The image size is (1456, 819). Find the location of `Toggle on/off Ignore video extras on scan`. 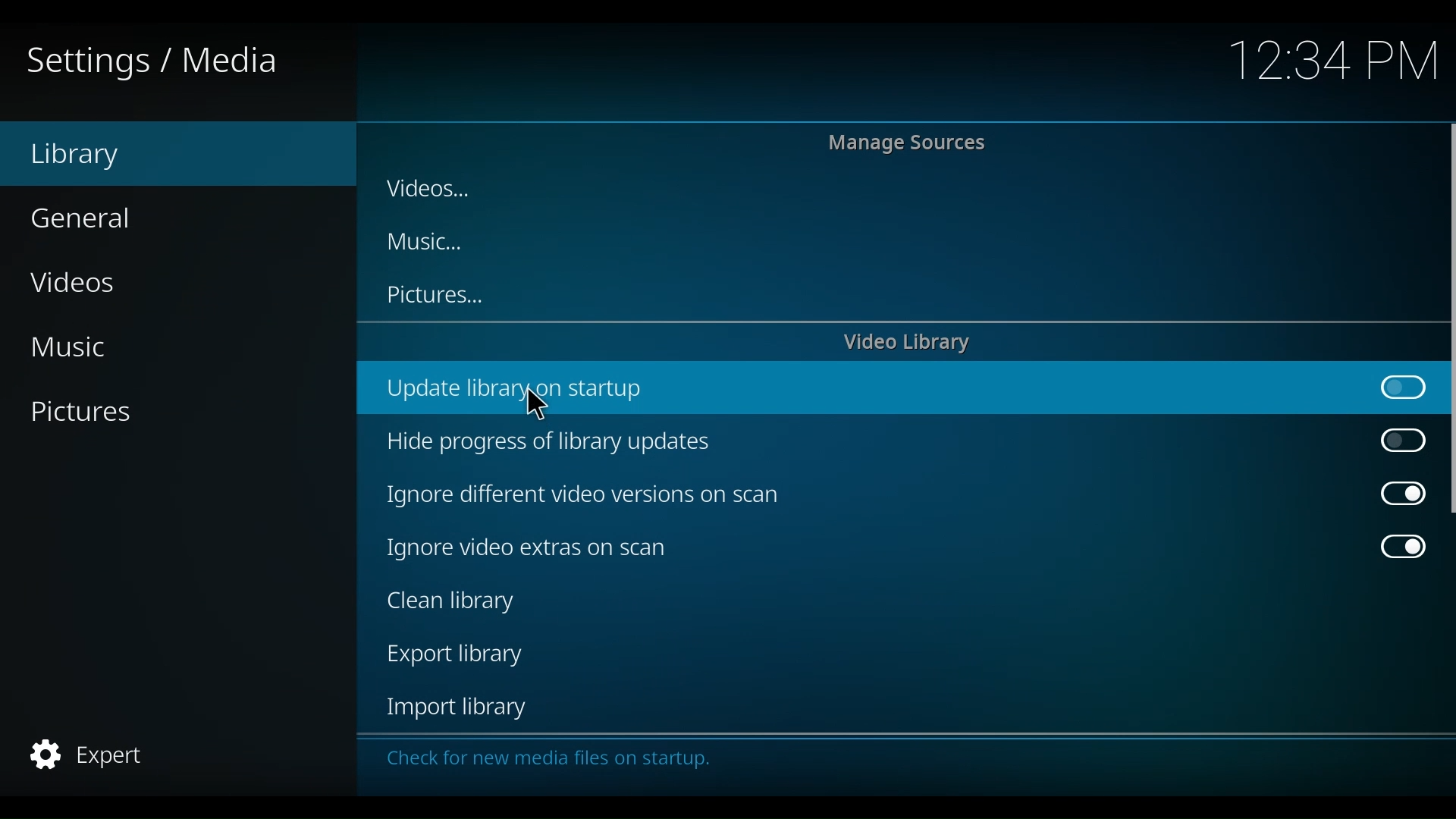

Toggle on/off Ignore video extras on scan is located at coordinates (1399, 548).